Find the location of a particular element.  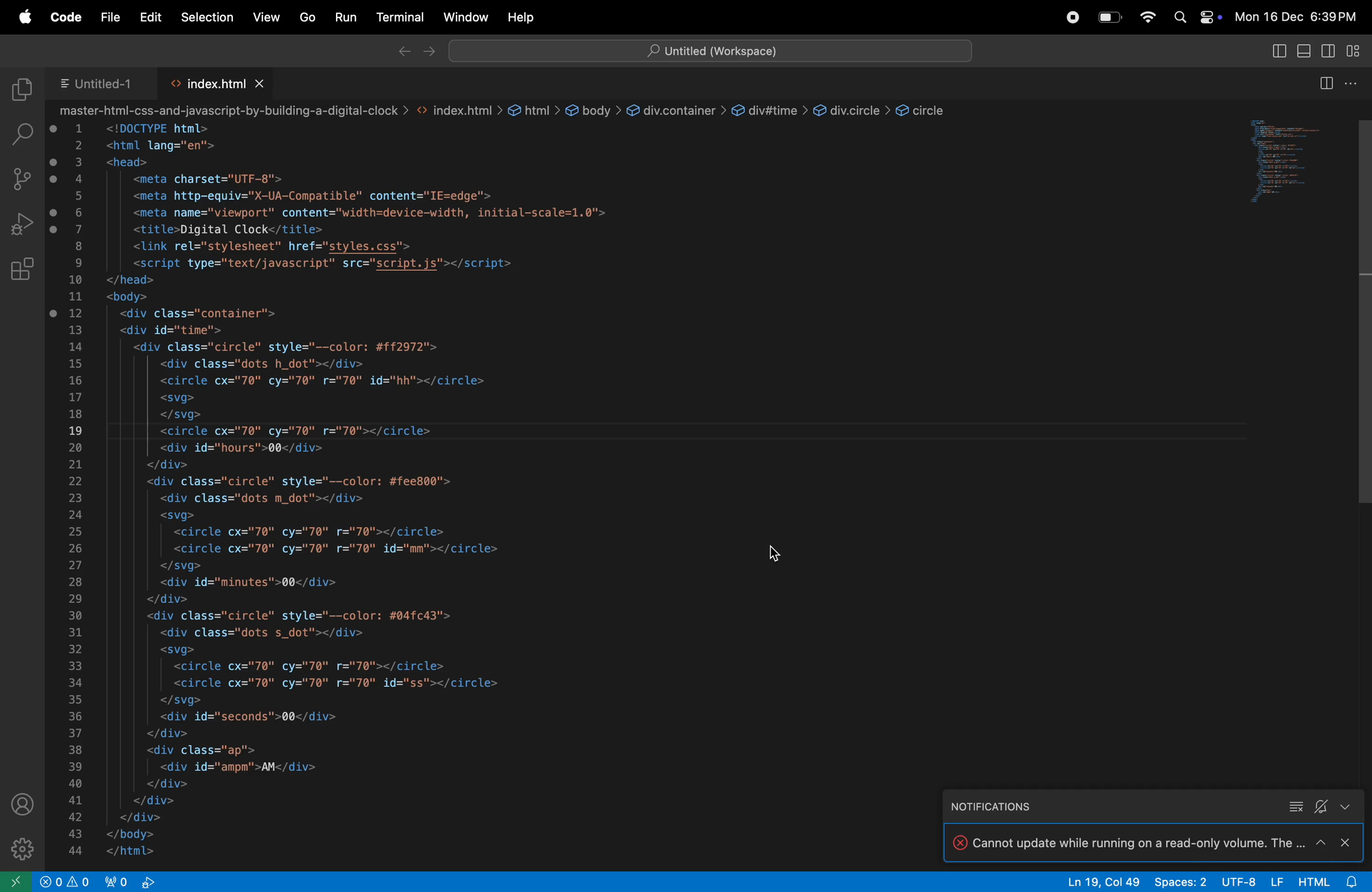

selection is located at coordinates (207, 16).